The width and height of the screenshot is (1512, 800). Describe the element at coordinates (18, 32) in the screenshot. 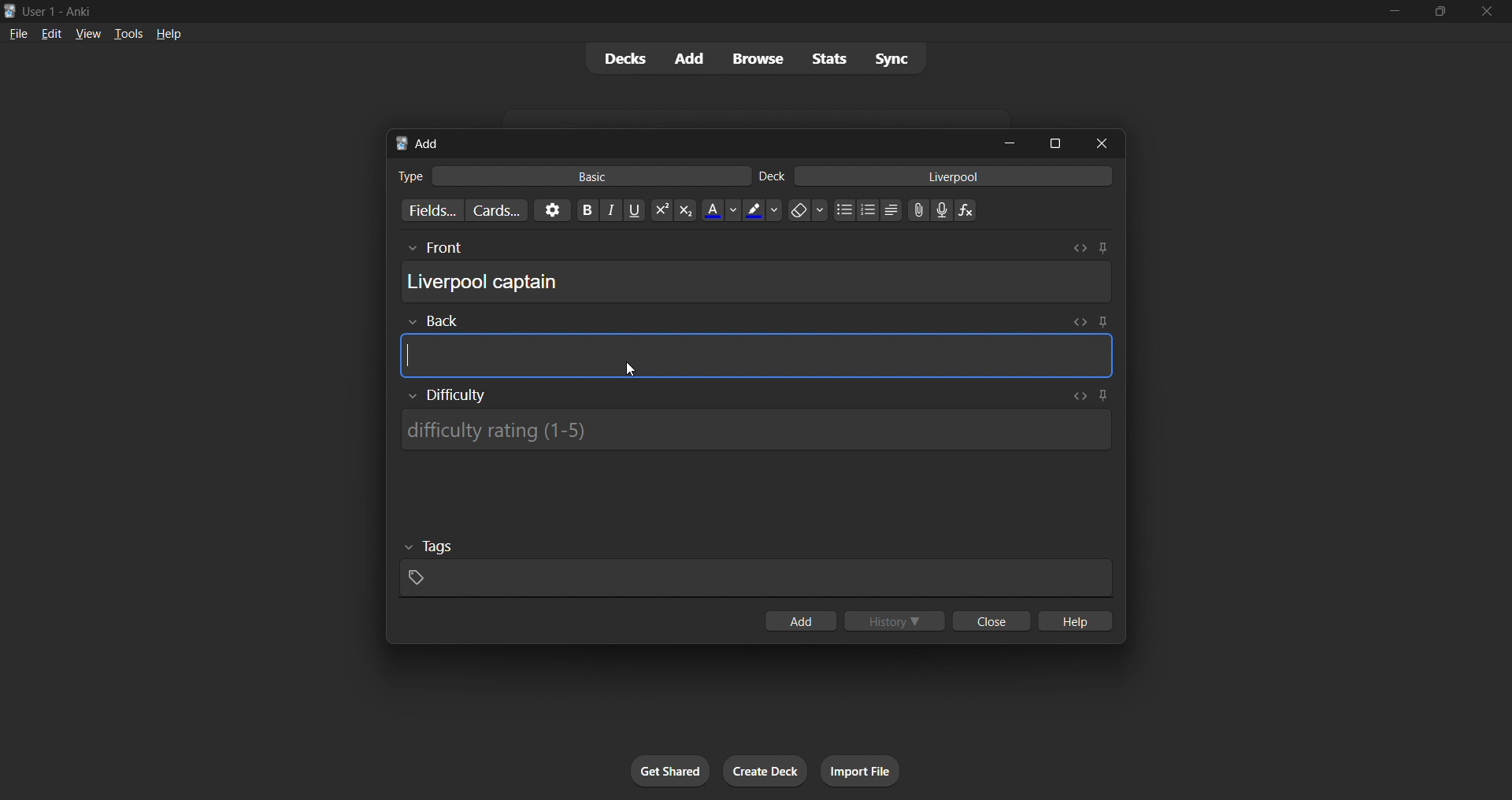

I see `file` at that location.